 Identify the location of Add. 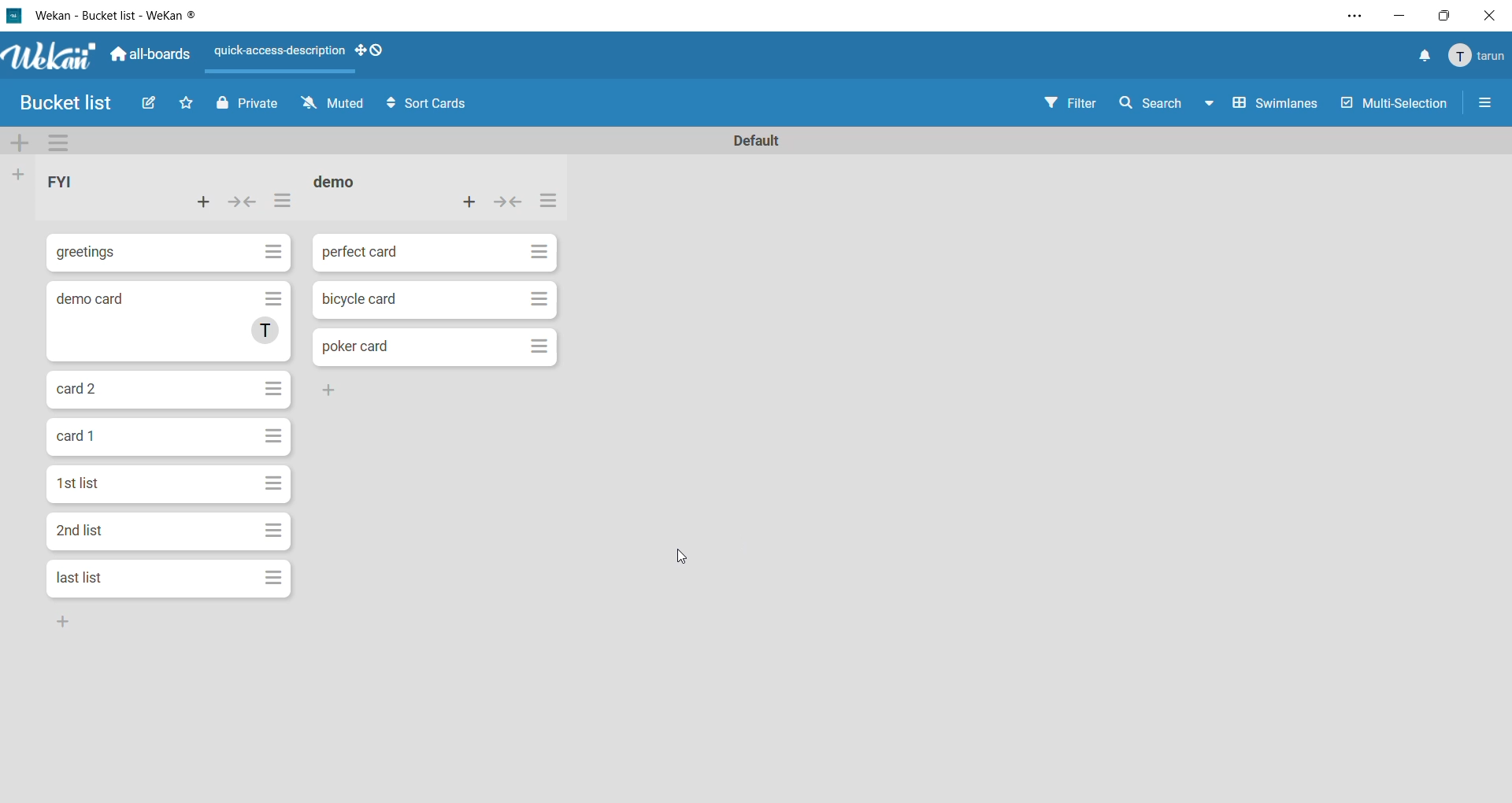
(65, 627).